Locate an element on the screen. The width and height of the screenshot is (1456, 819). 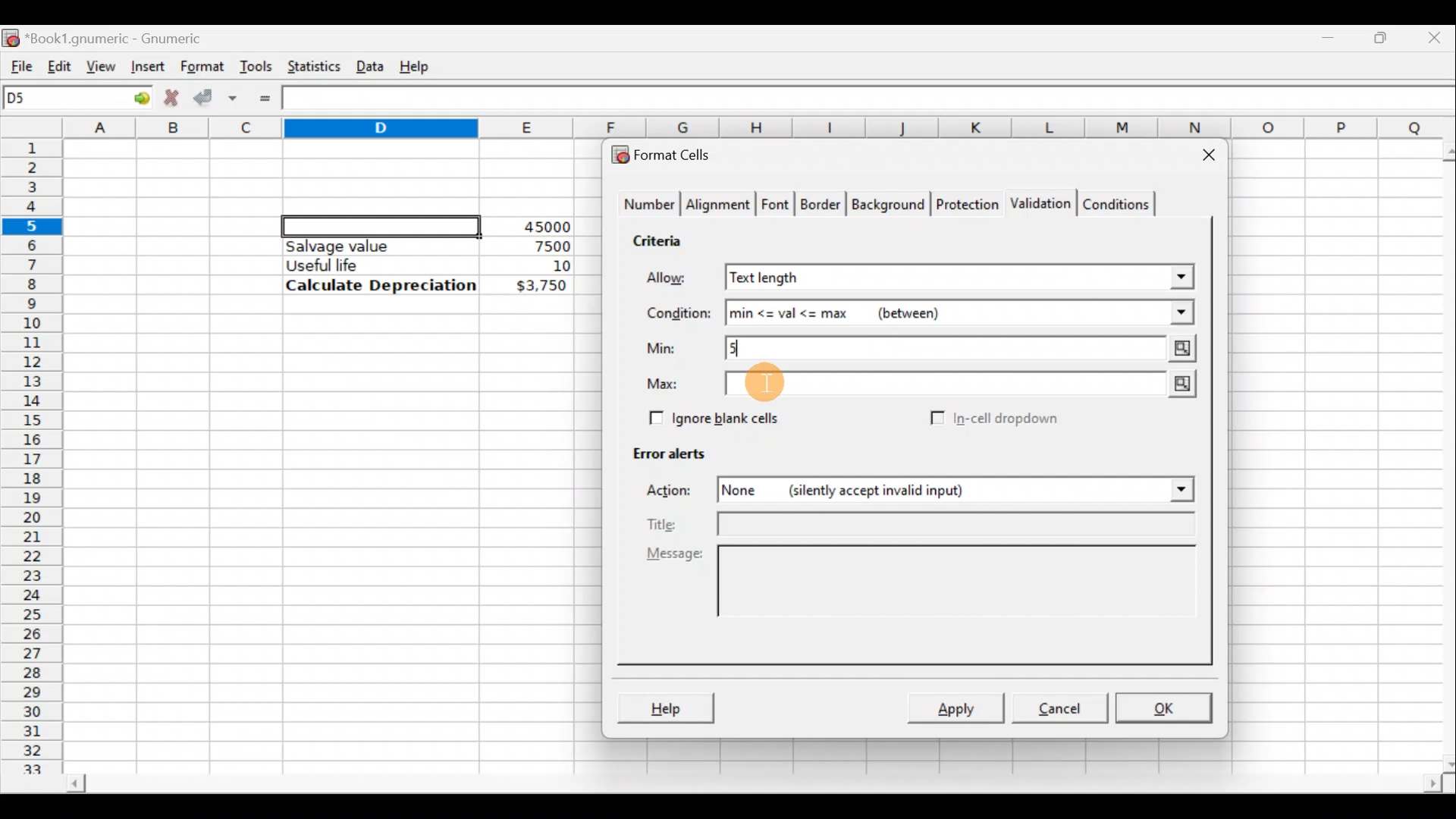
Allow is located at coordinates (677, 280).